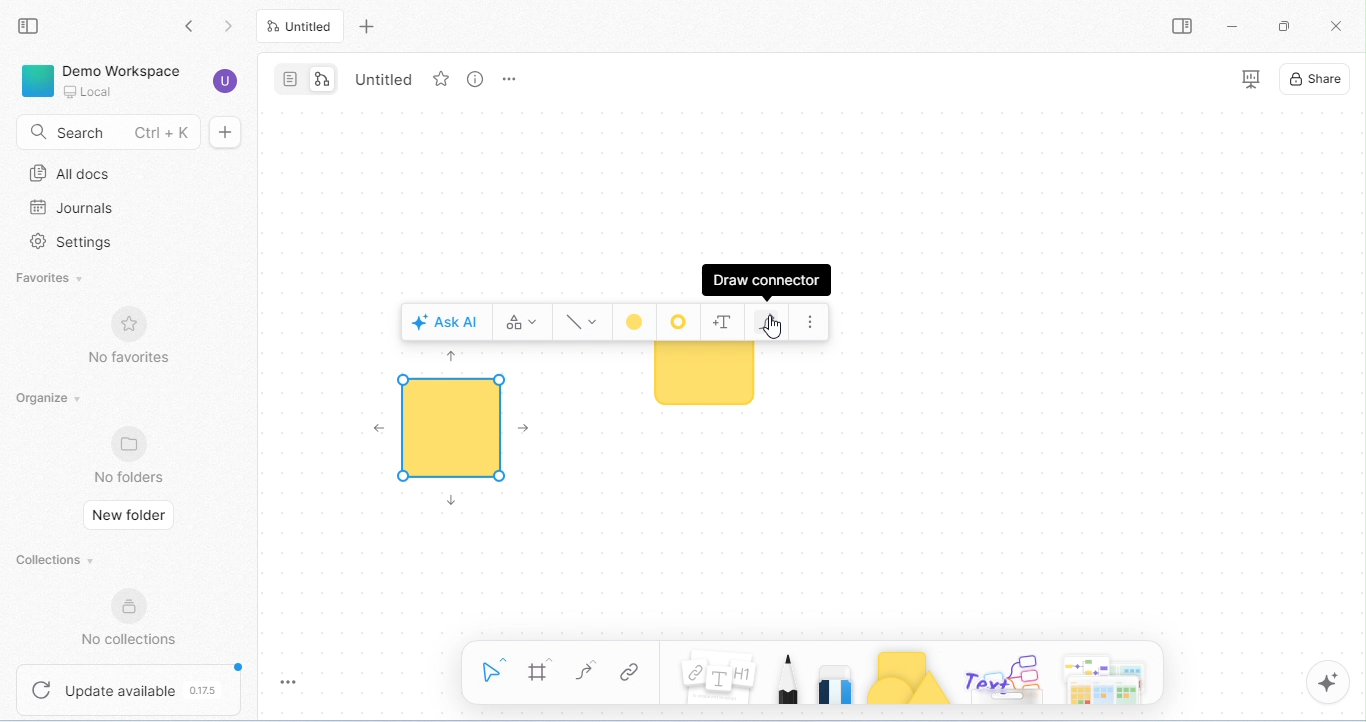 Image resolution: width=1366 pixels, height=722 pixels. What do you see at coordinates (131, 514) in the screenshot?
I see `new folder` at bounding box center [131, 514].